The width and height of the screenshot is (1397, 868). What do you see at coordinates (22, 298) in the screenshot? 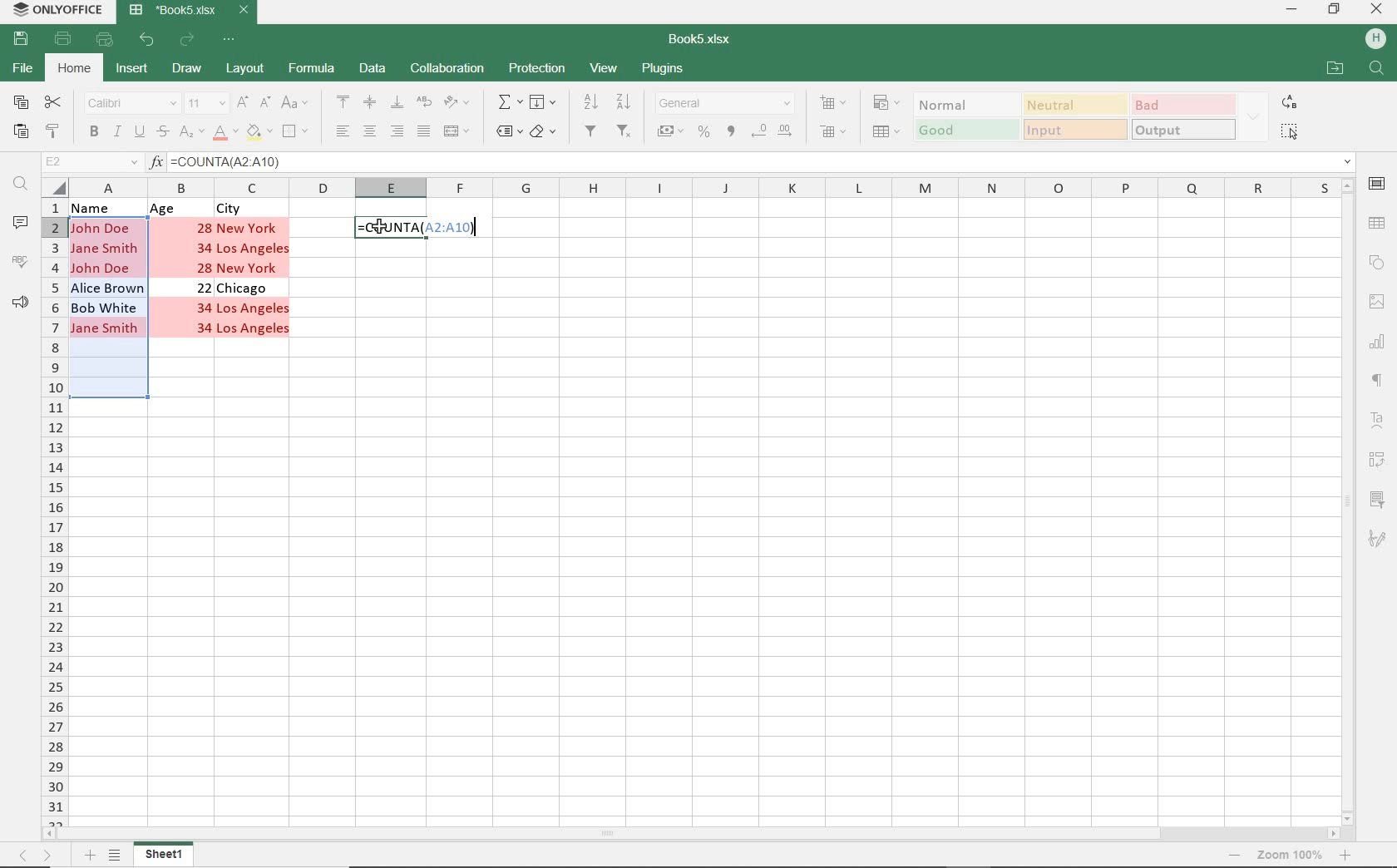
I see `FEEDBACK & SUPPORT` at bounding box center [22, 298].